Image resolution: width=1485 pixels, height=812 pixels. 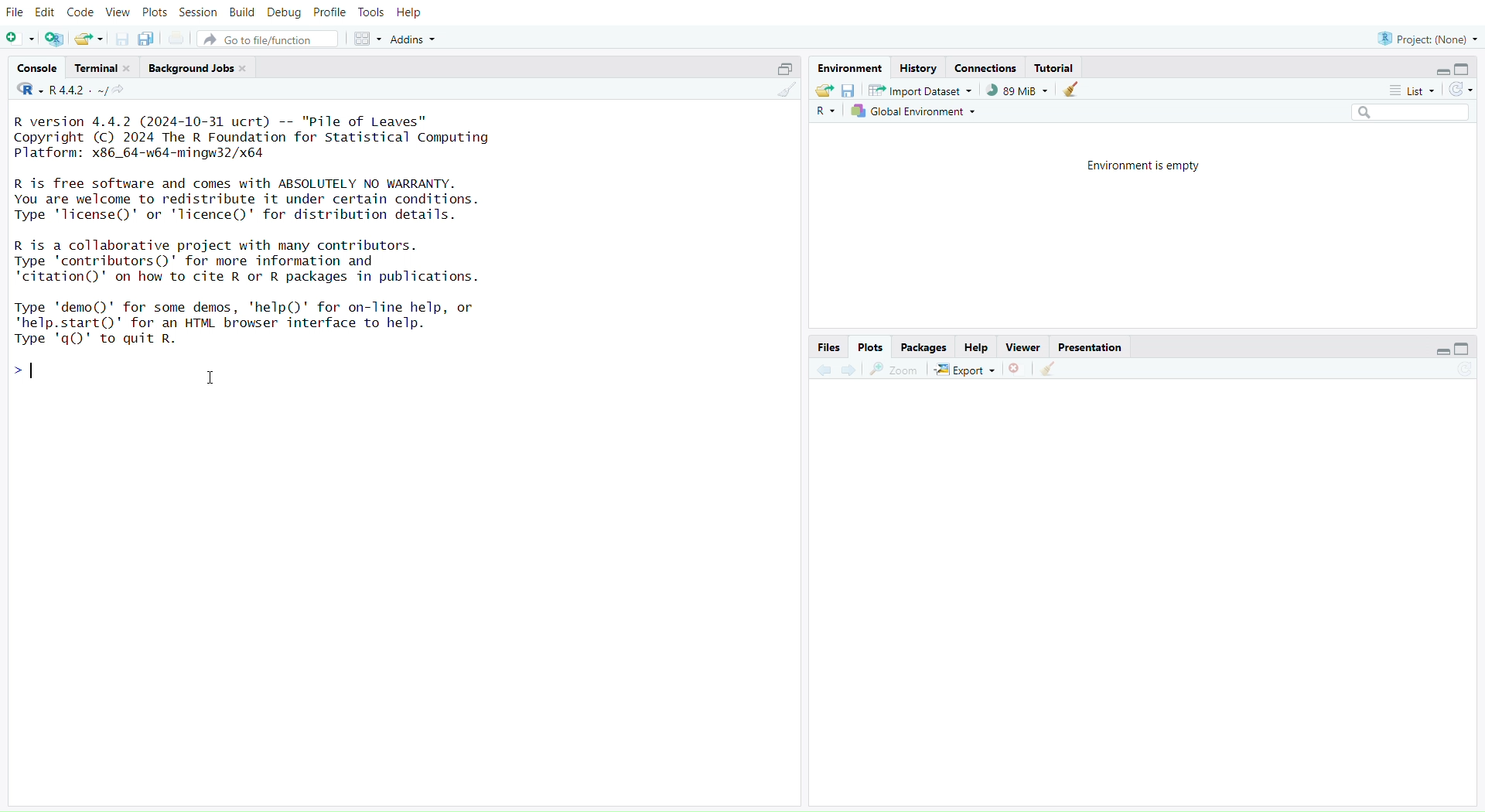 I want to click on Refresh the list of objects in the environment, so click(x=1462, y=89).